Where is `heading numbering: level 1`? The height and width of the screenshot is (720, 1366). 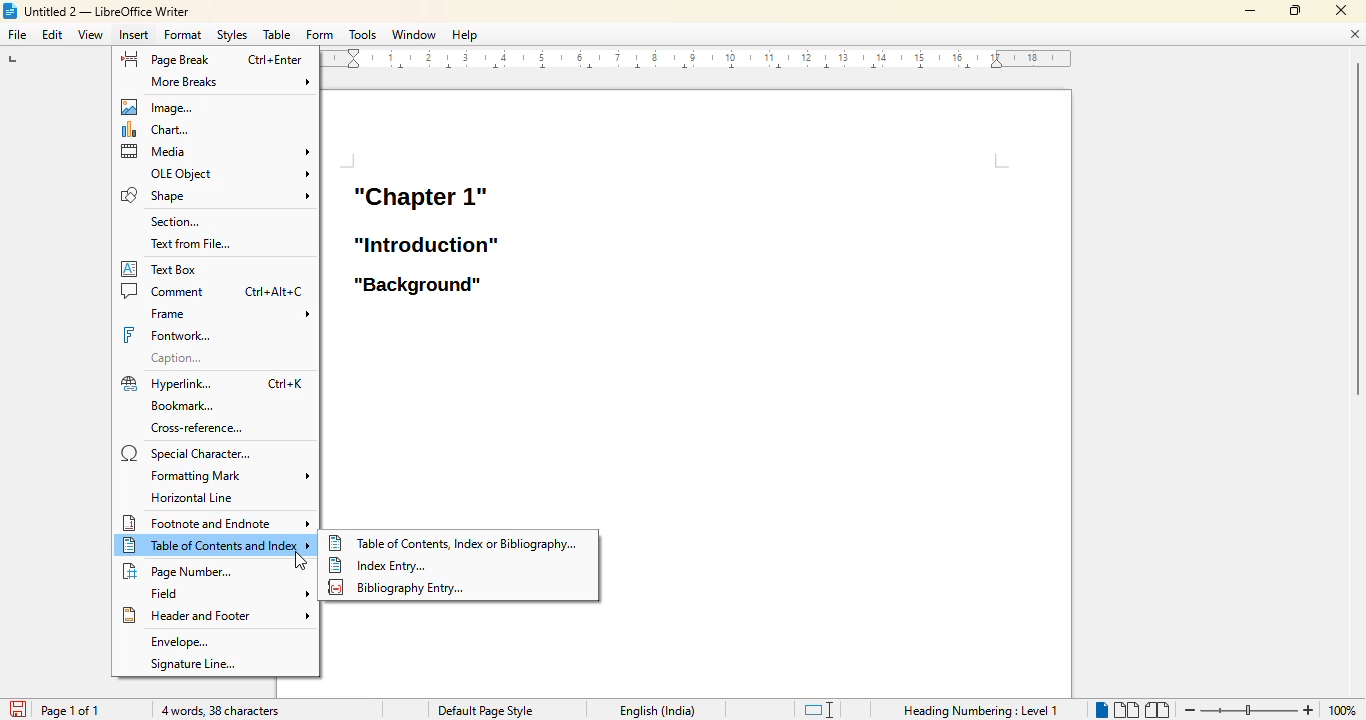 heading numbering: level 1 is located at coordinates (981, 711).